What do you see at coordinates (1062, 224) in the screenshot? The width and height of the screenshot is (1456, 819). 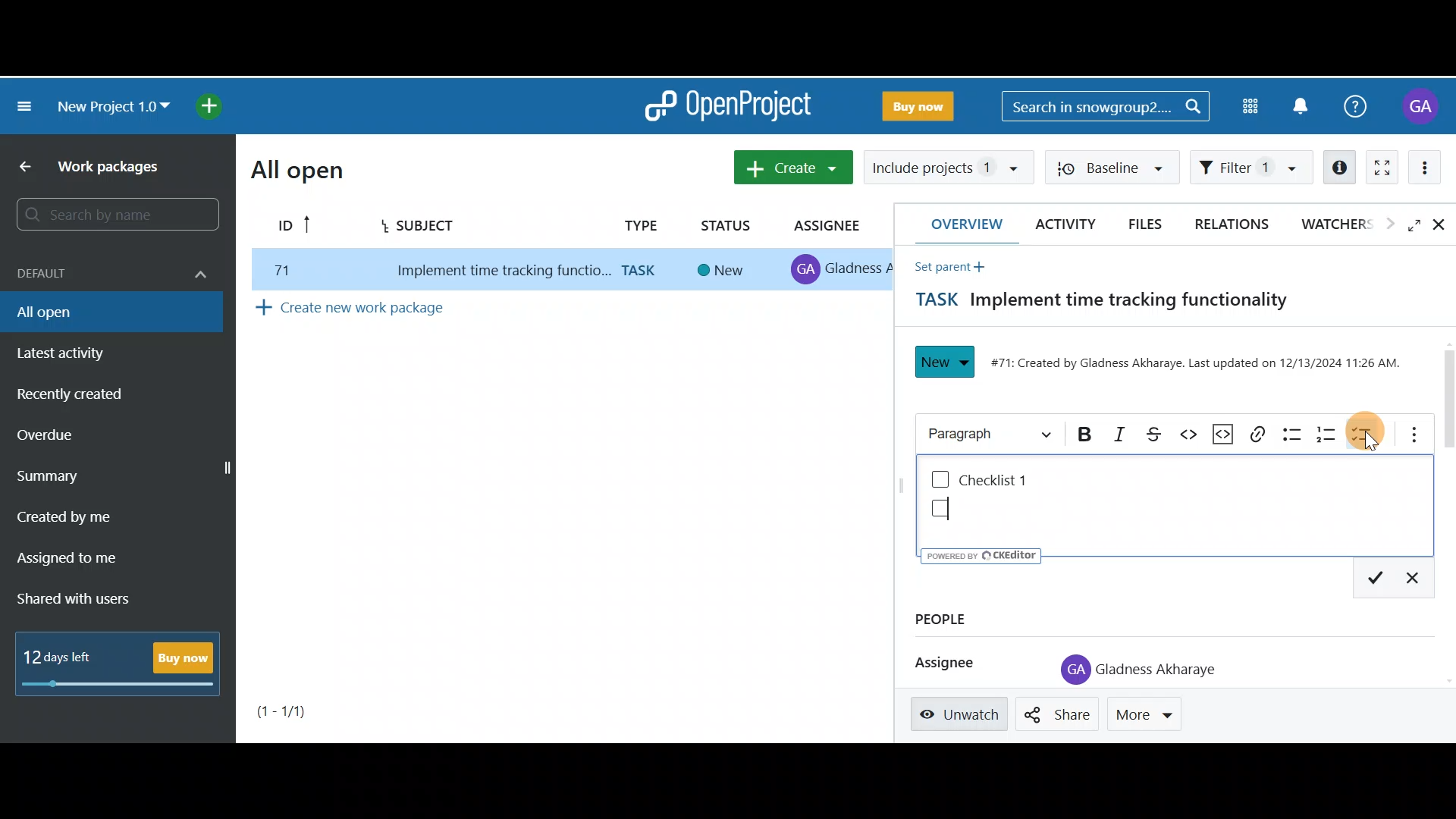 I see `Activity` at bounding box center [1062, 224].